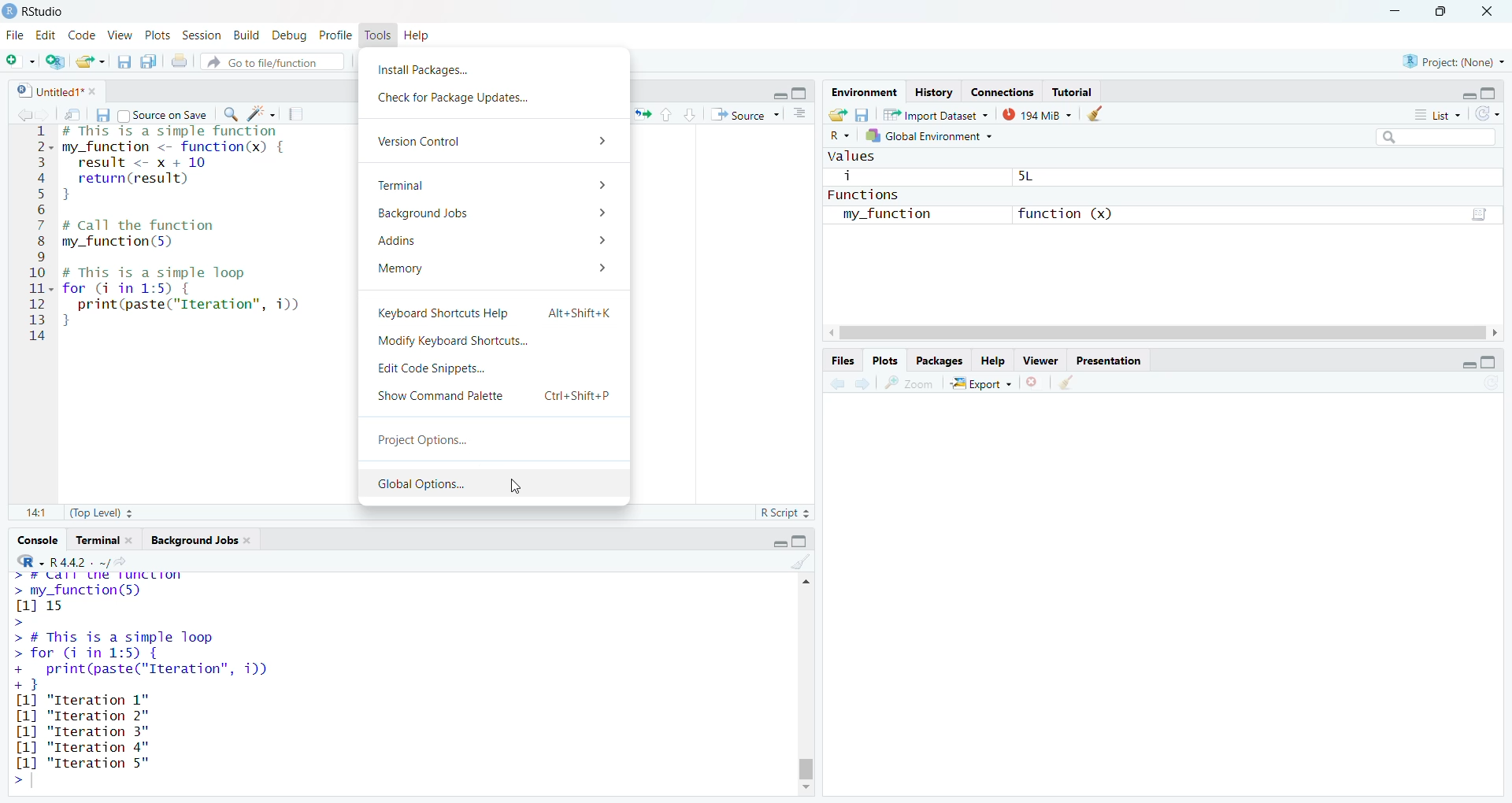 This screenshot has width=1512, height=803. Describe the element at coordinates (1165, 333) in the screenshot. I see `scrollbar` at that location.